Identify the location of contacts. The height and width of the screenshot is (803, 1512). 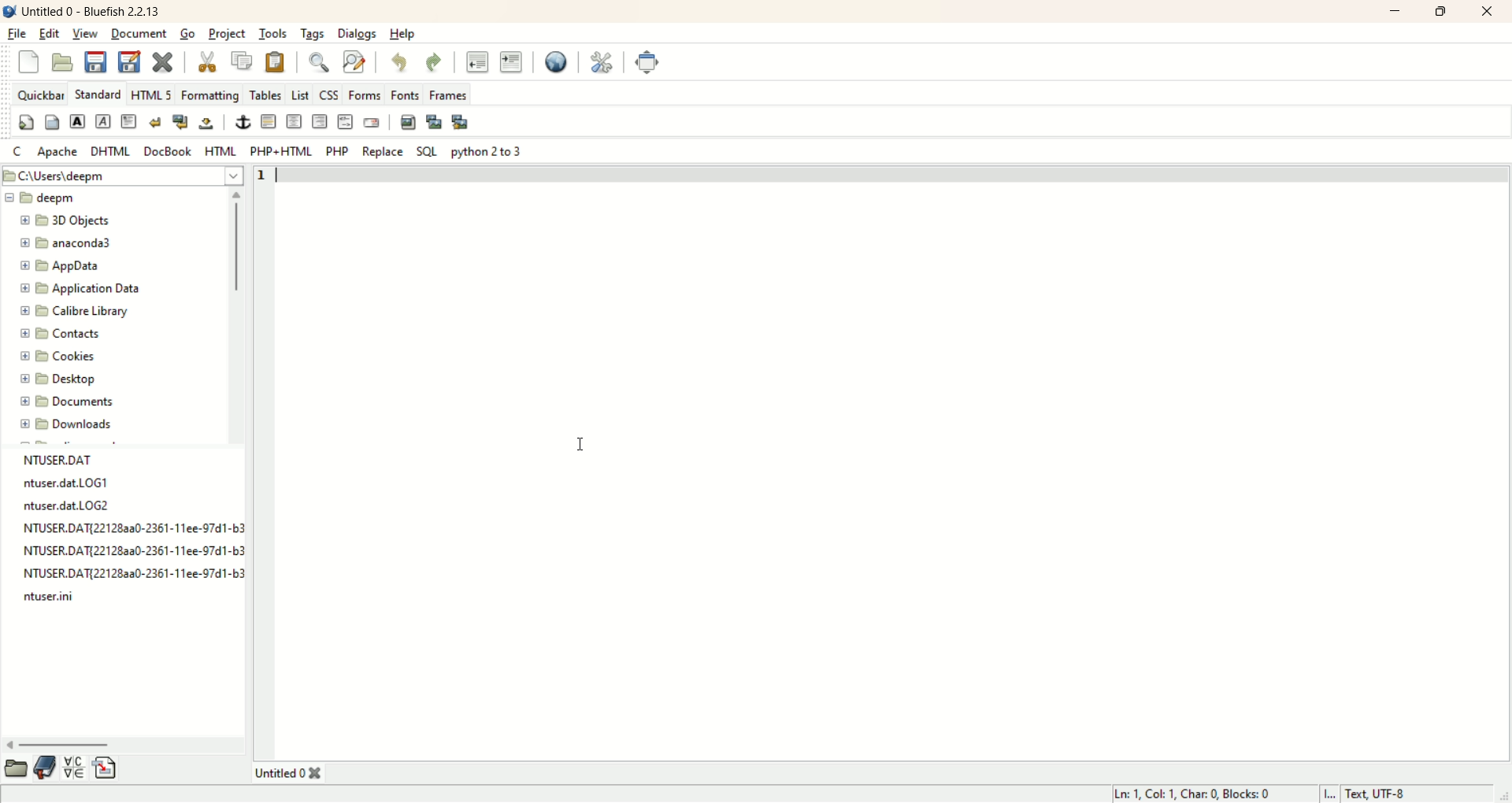
(60, 335).